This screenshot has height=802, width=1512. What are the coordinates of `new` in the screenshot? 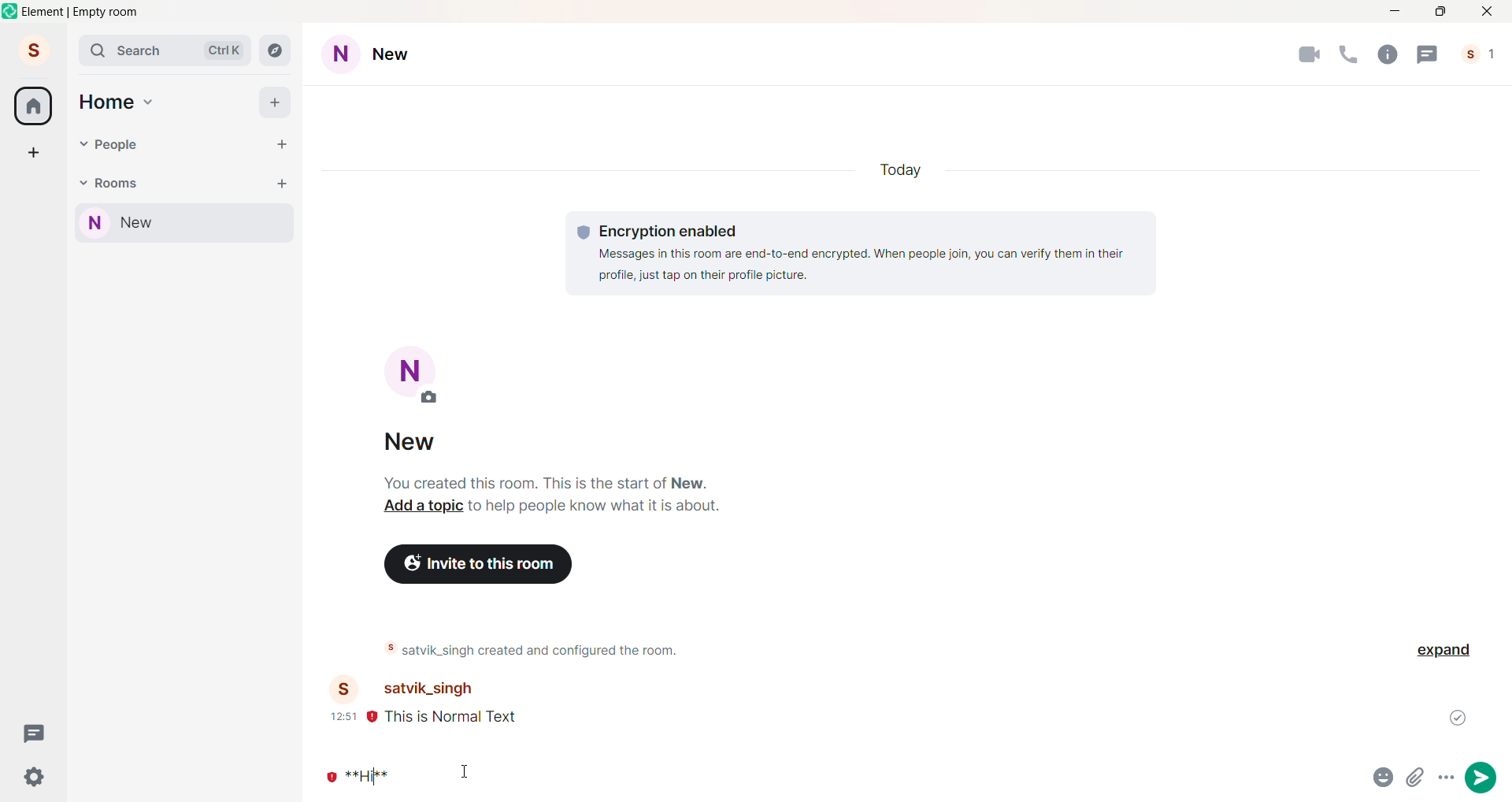 It's located at (419, 444).